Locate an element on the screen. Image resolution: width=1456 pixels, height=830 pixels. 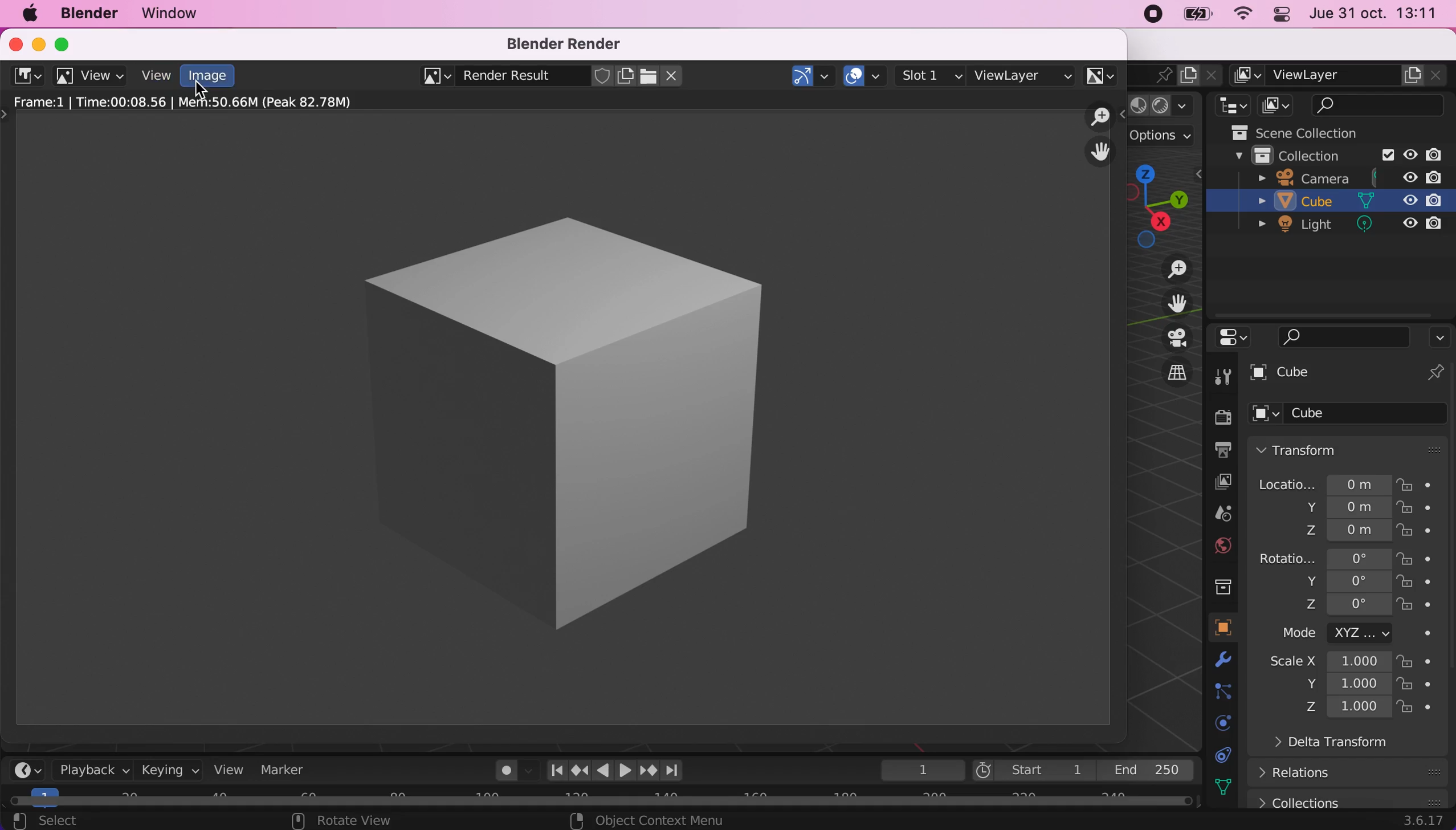
lock is located at coordinates (1417, 607).